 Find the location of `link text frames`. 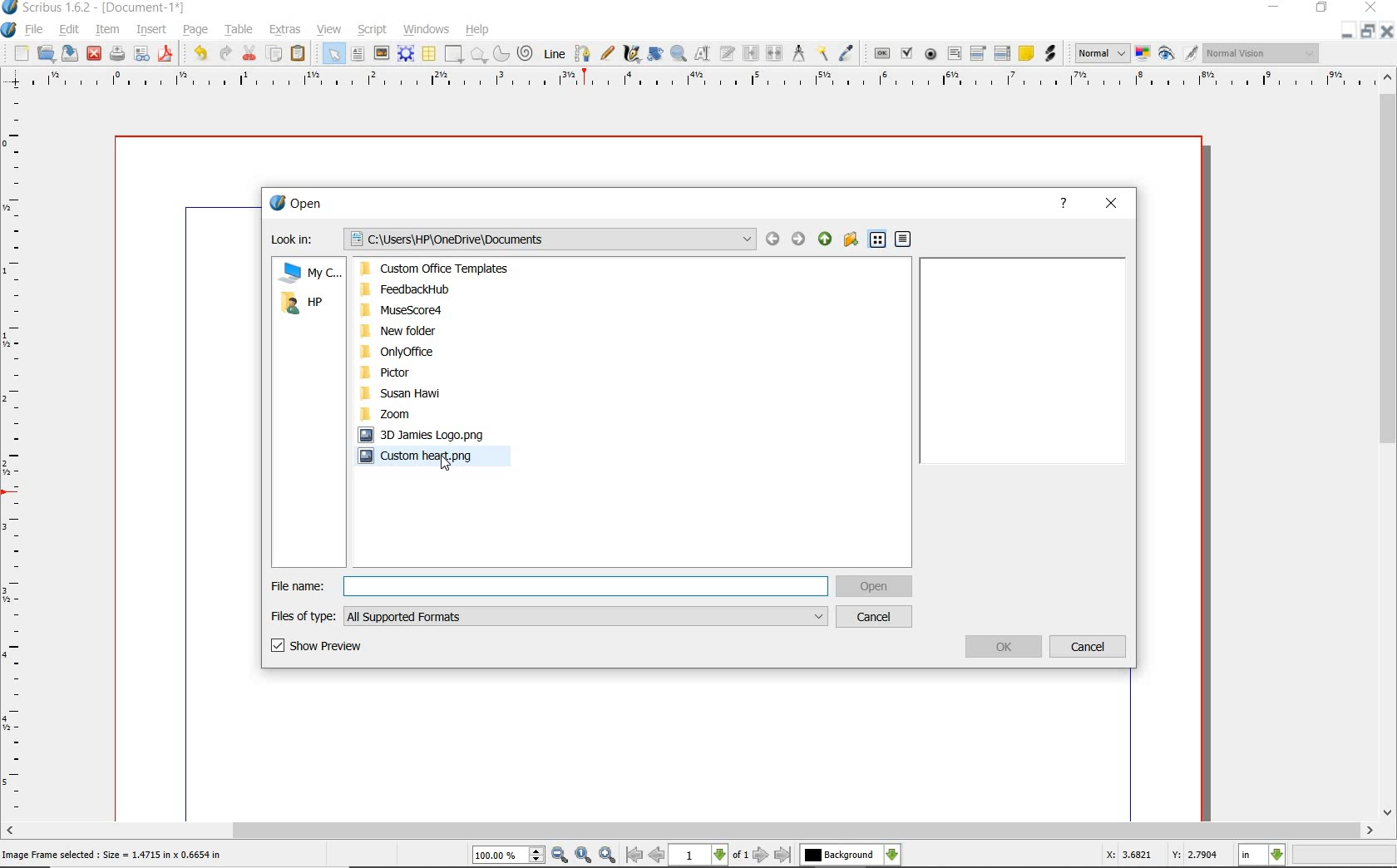

link text frames is located at coordinates (752, 53).